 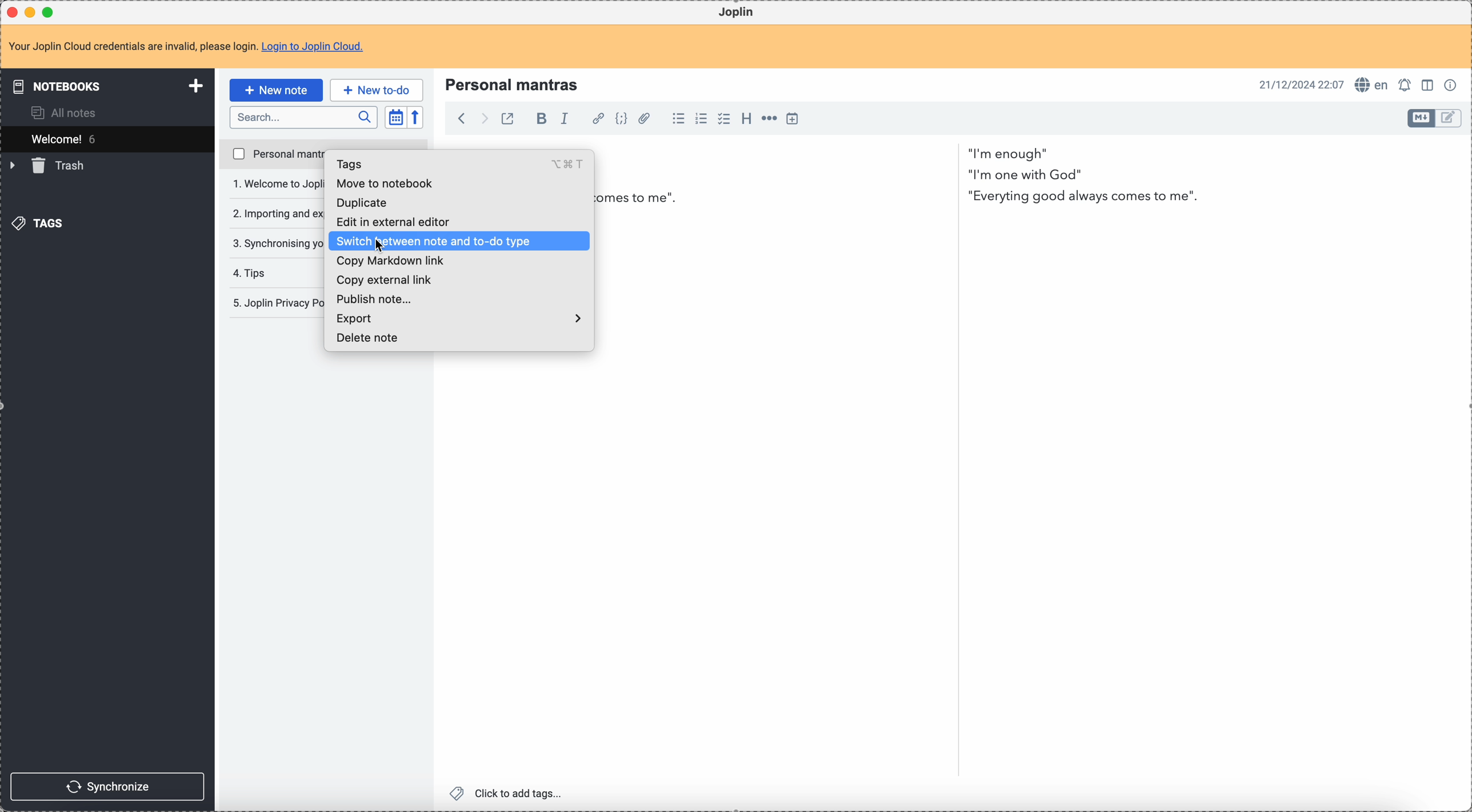 What do you see at coordinates (566, 119) in the screenshot?
I see `italic` at bounding box center [566, 119].